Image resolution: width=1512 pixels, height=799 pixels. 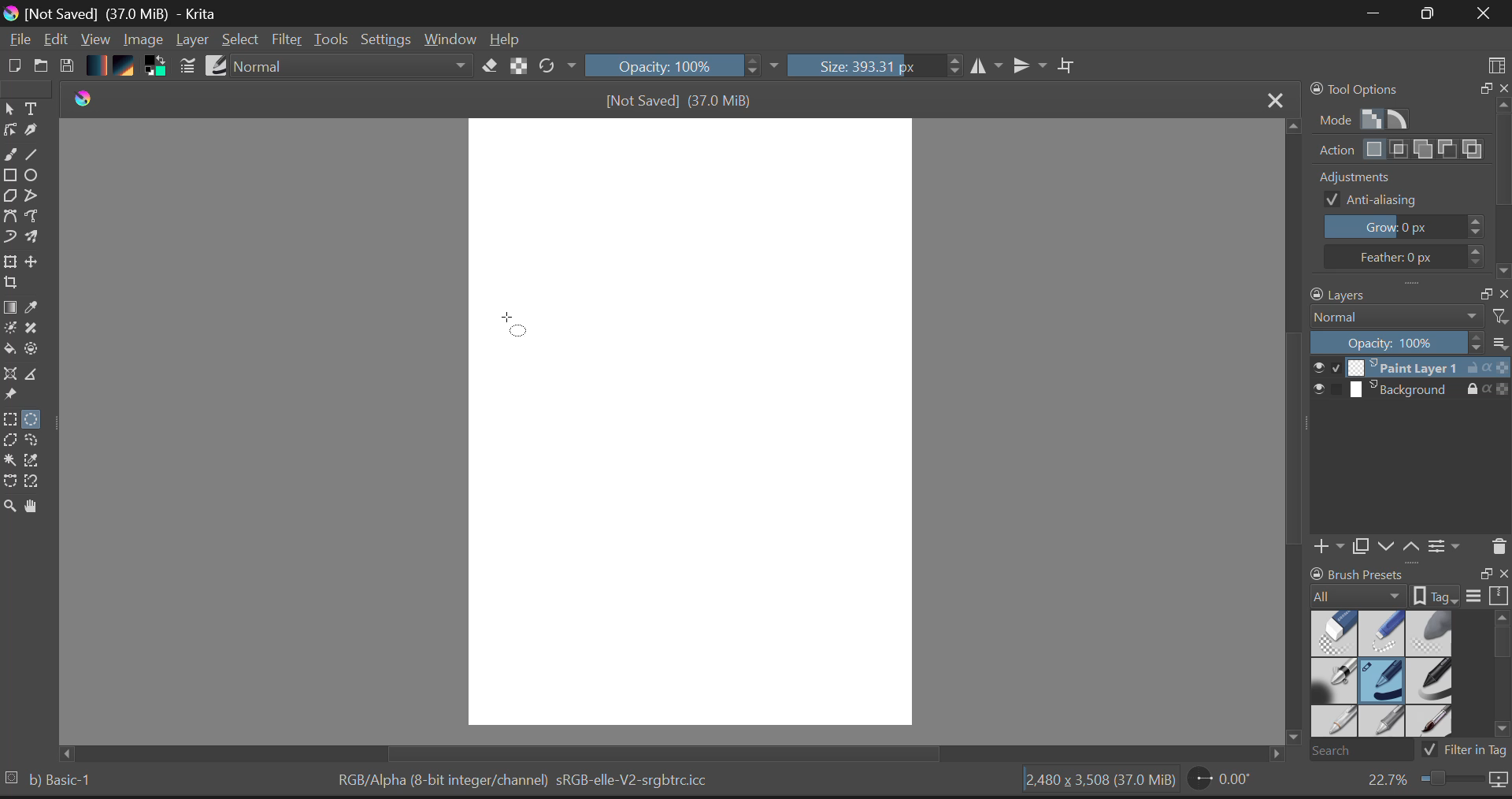 I want to click on Gradient, so click(x=98, y=66).